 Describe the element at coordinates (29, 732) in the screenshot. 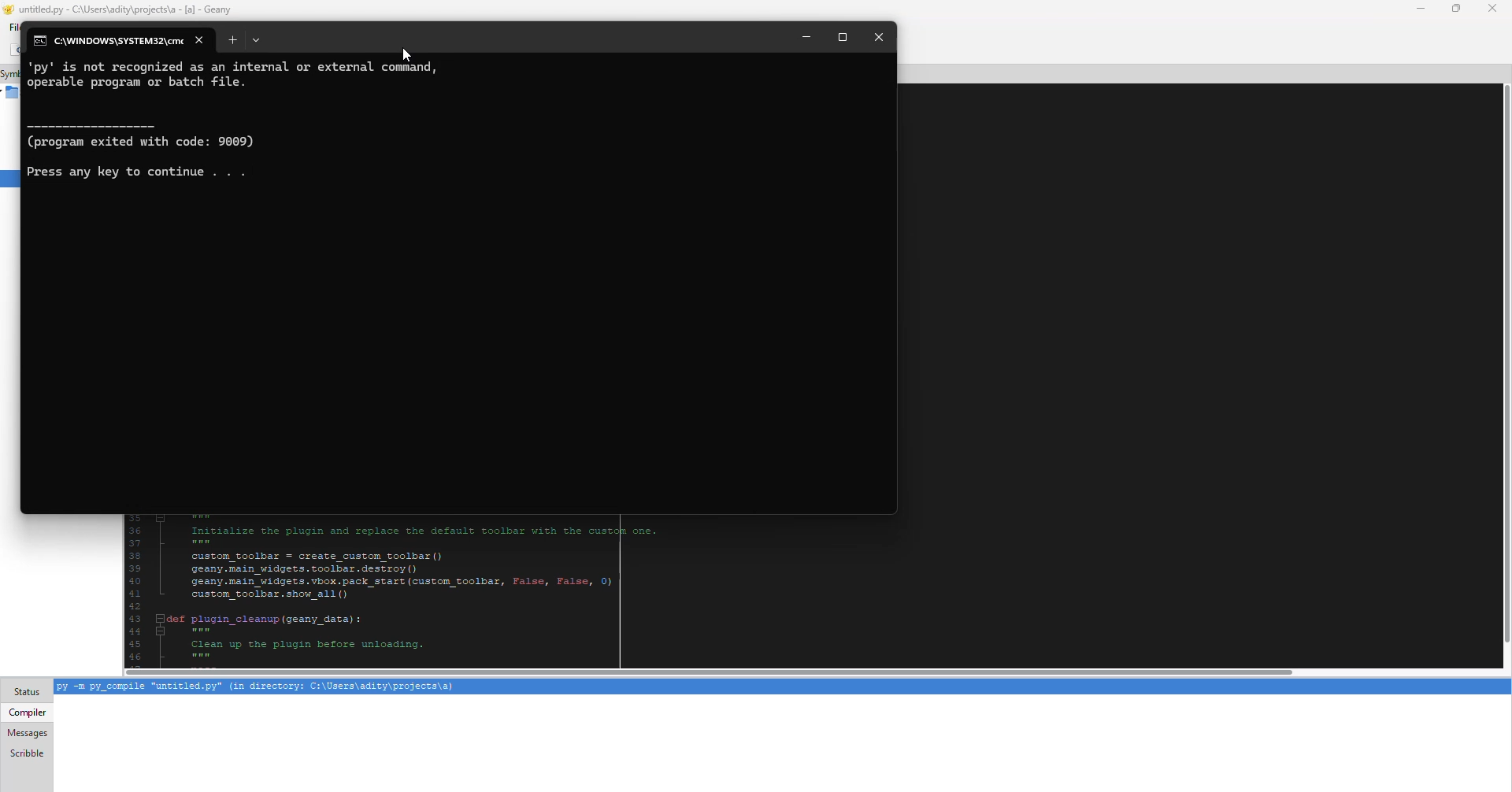

I see `messages` at that location.